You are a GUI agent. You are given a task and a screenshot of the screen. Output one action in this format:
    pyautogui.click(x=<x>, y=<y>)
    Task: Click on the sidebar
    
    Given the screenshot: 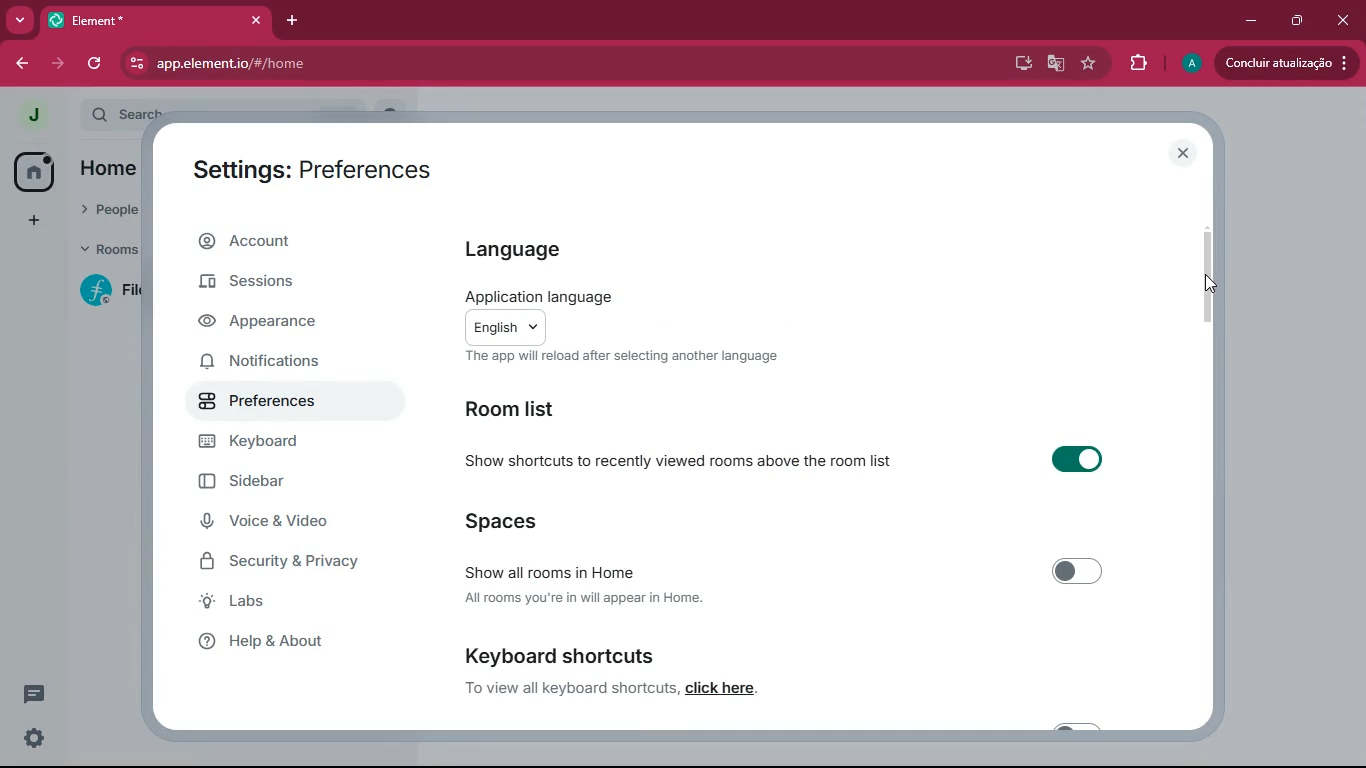 What is the action you would take?
    pyautogui.click(x=271, y=484)
    